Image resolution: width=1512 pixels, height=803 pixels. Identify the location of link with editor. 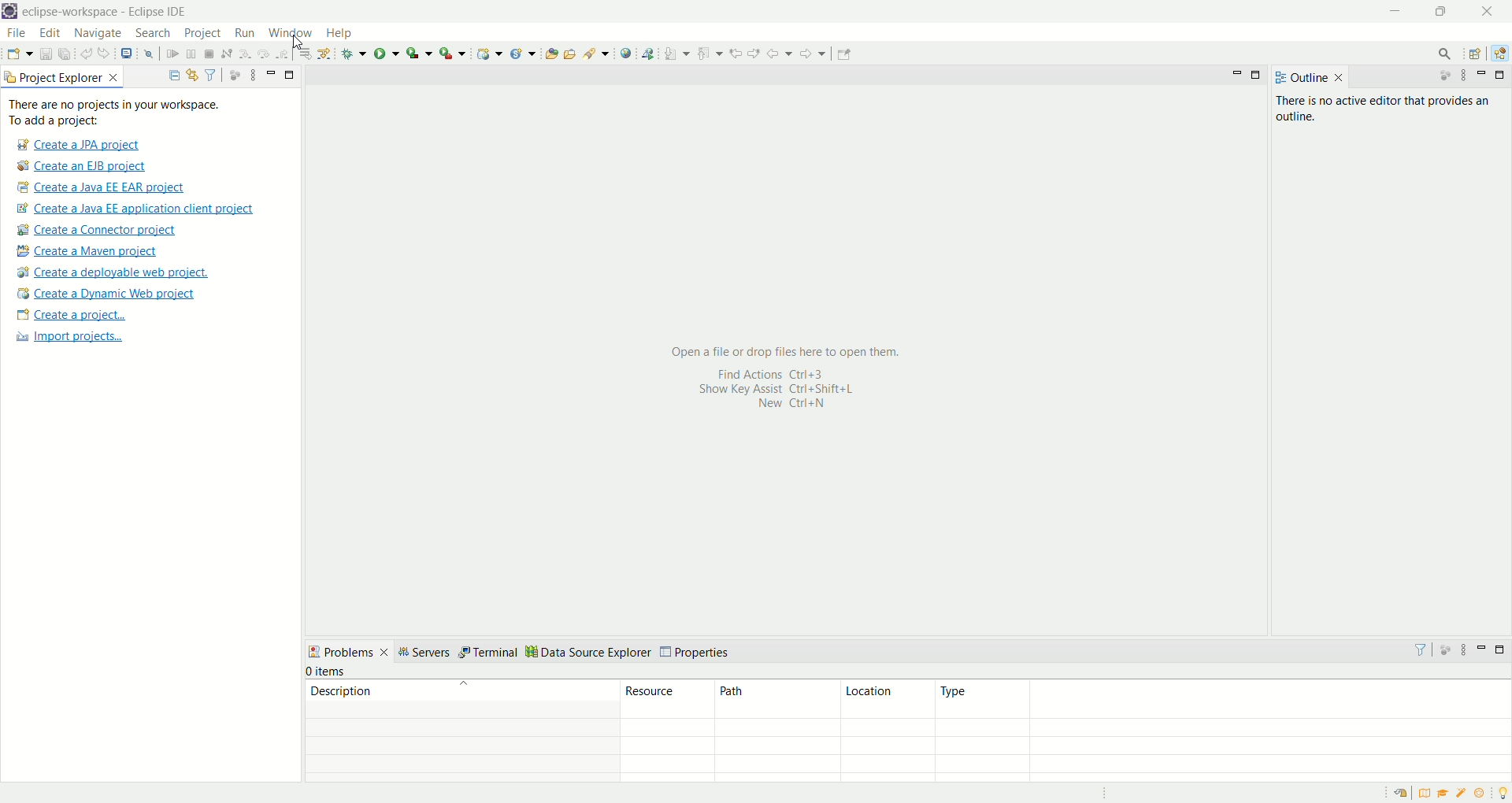
(193, 75).